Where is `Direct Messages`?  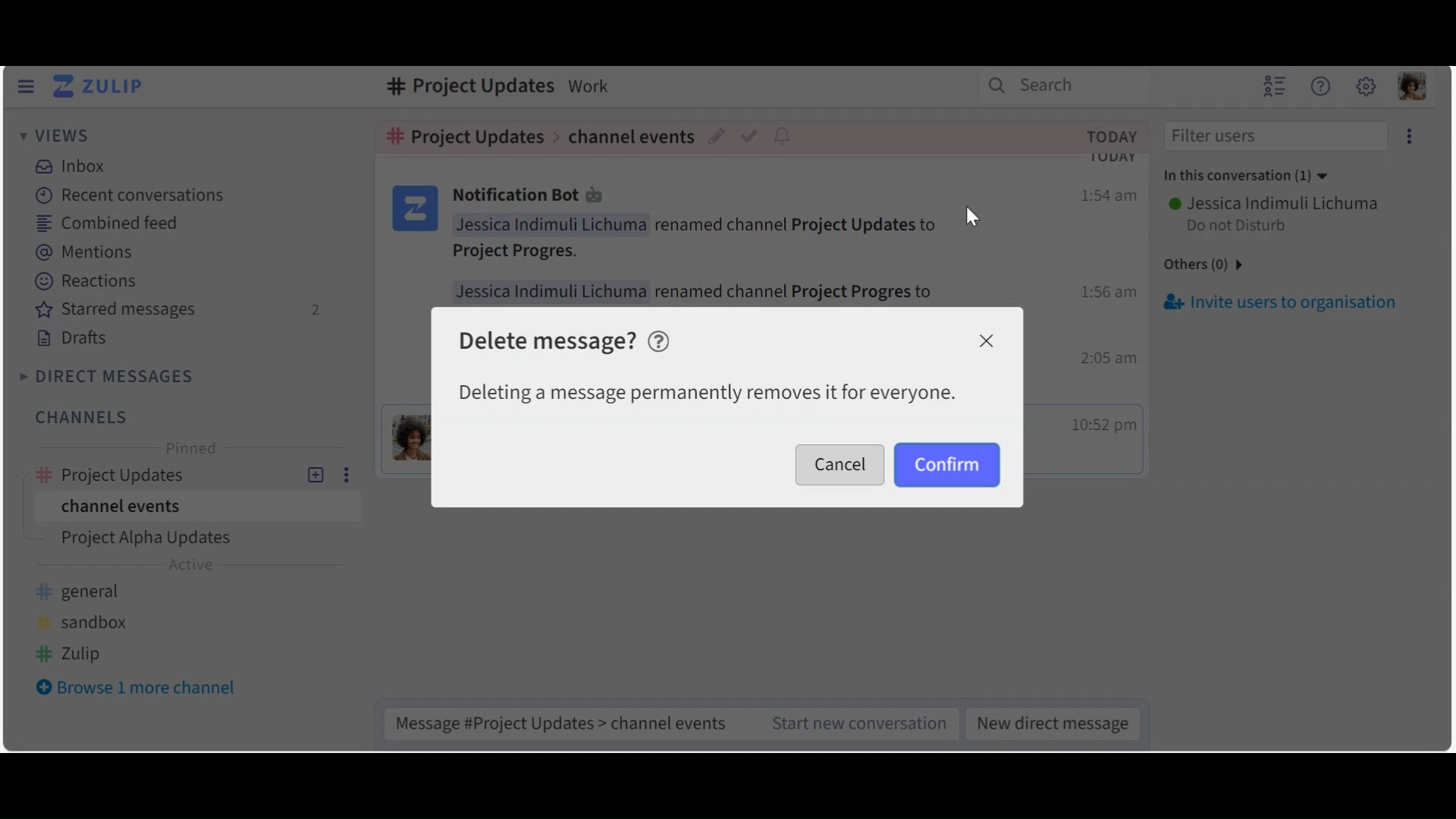
Direct Messages is located at coordinates (110, 375).